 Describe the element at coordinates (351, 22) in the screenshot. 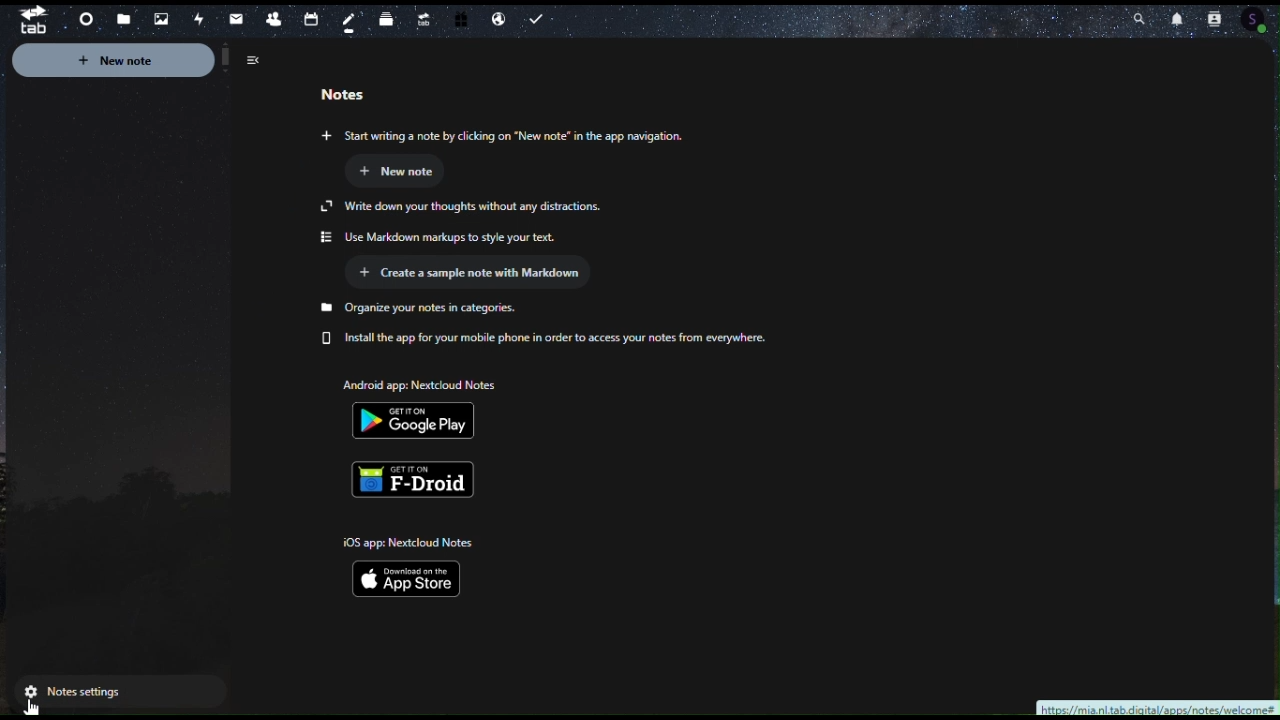

I see `notes` at that location.